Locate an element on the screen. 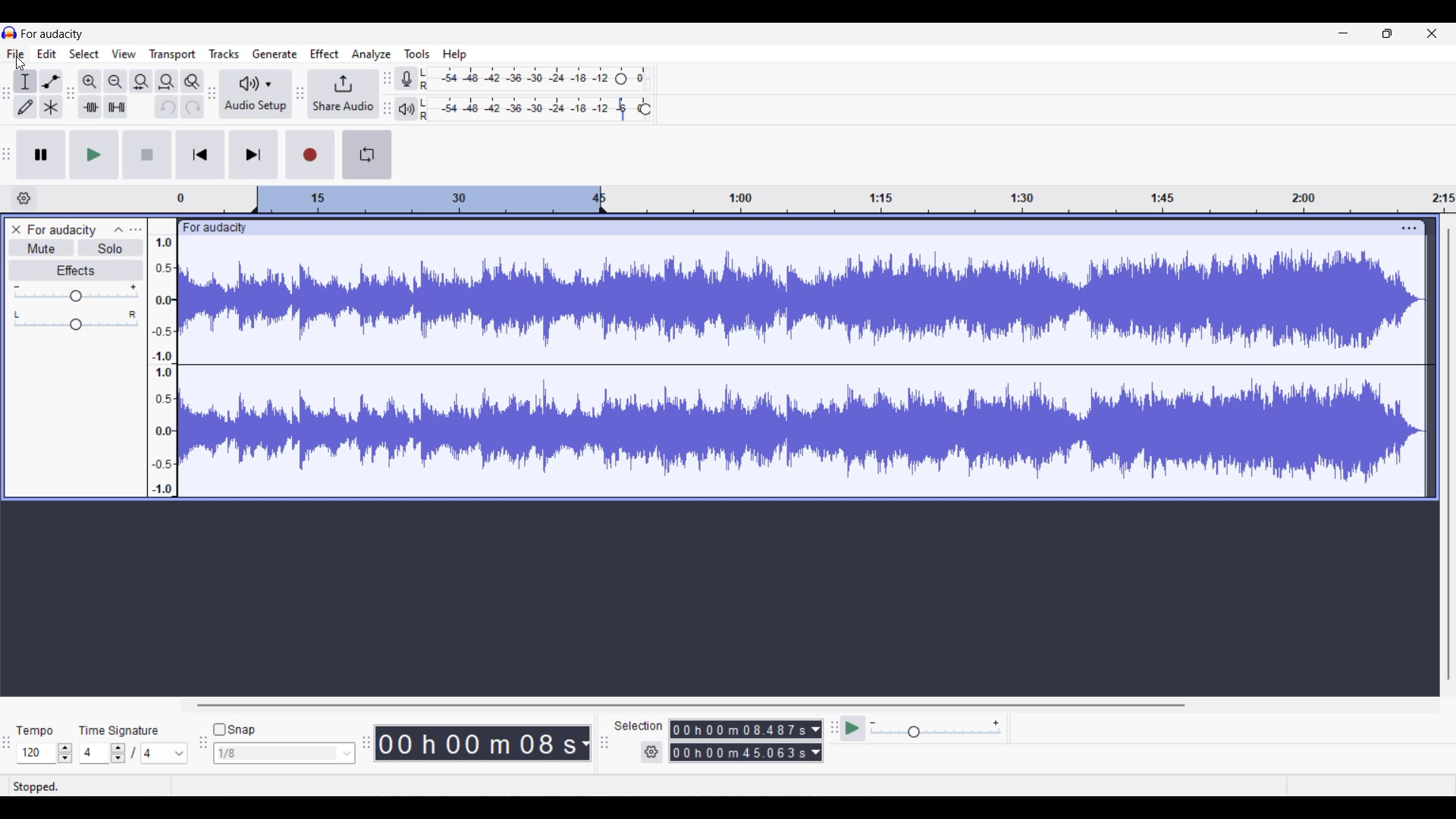  Mute is located at coordinates (42, 247).